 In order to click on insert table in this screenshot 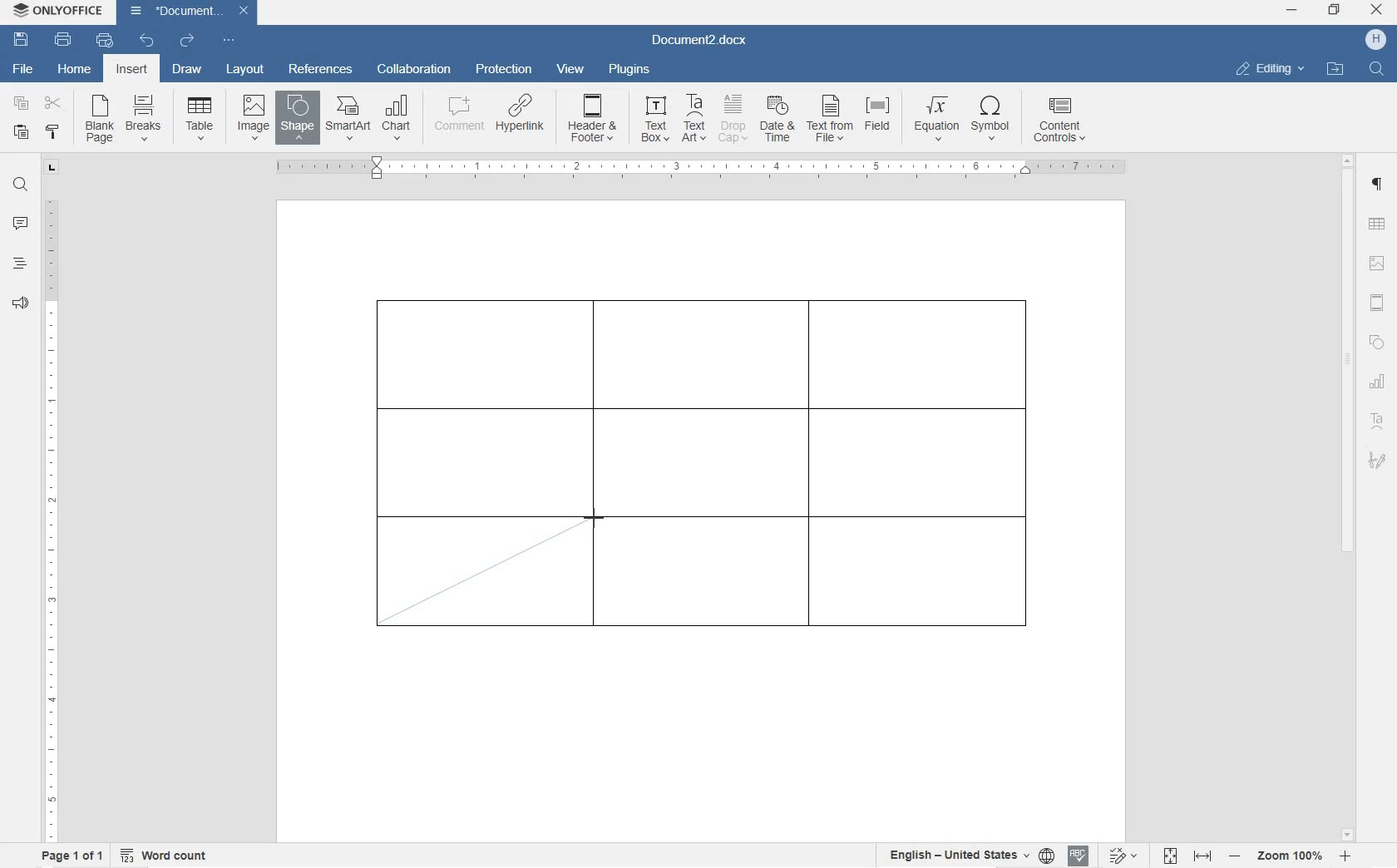, I will do `click(196, 118)`.